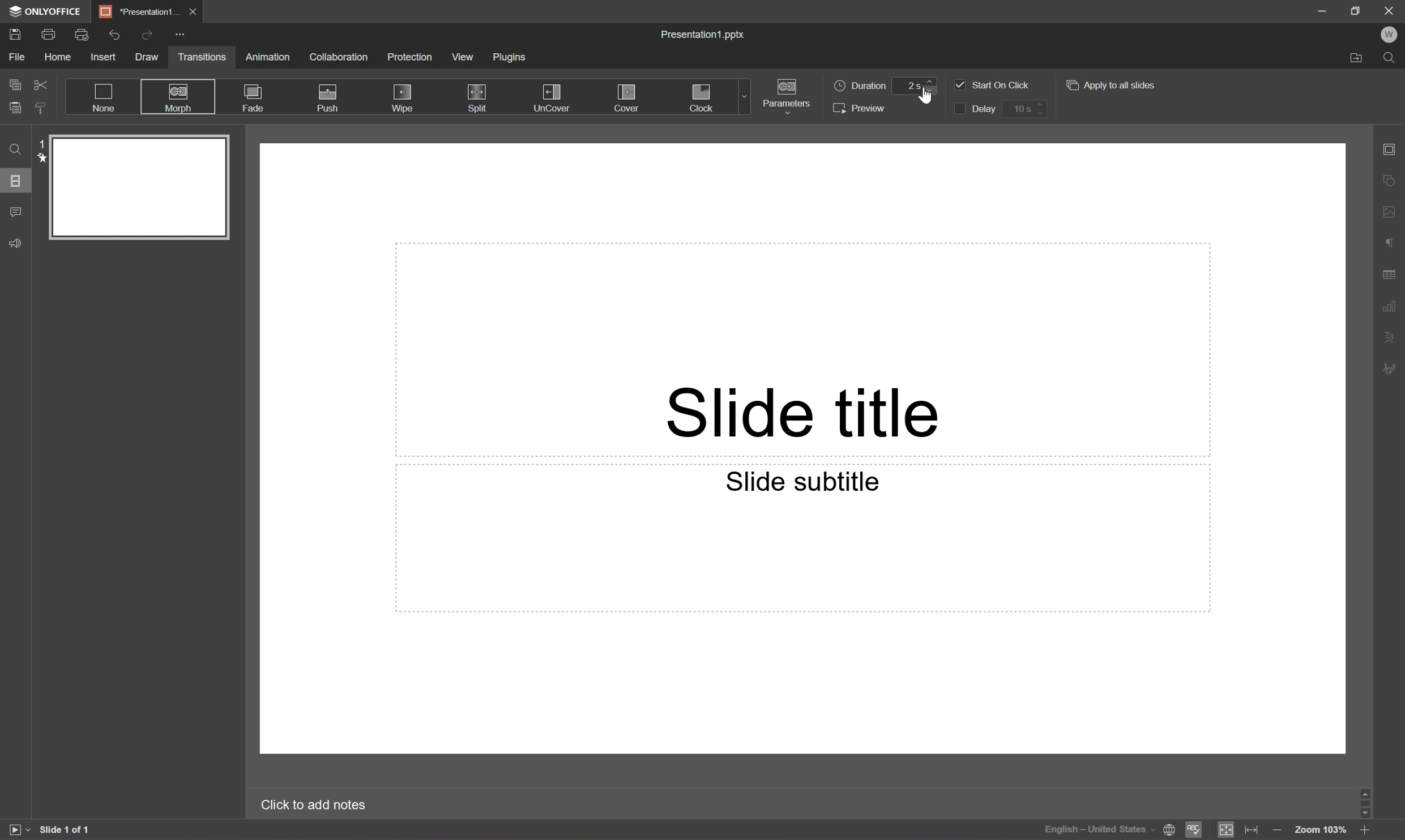 The height and width of the screenshot is (840, 1405). Describe the element at coordinates (138, 13) in the screenshot. I see `*Presentation1...` at that location.